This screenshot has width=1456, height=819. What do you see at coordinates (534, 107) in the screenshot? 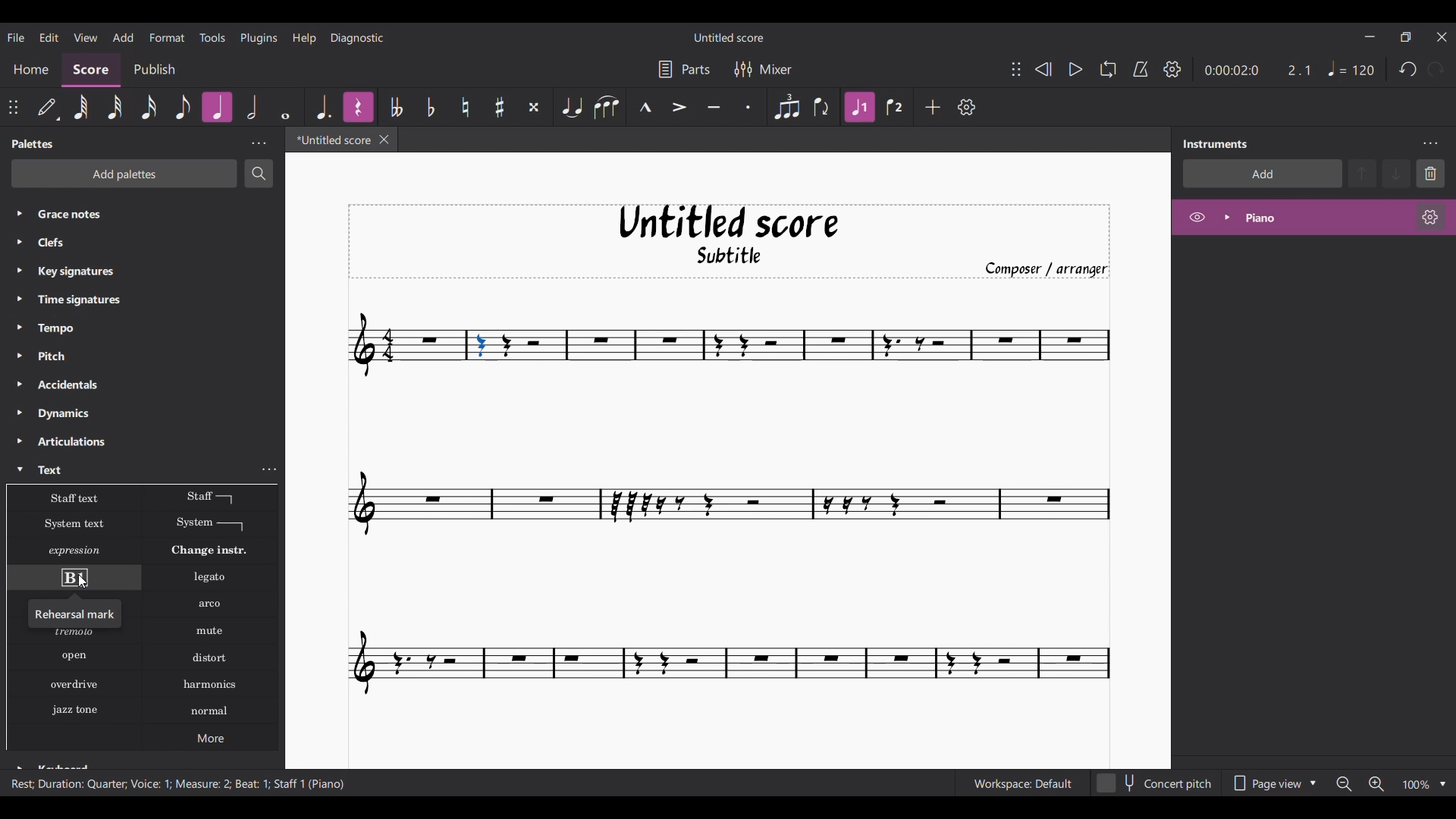
I see `Toggle double sharp` at bounding box center [534, 107].